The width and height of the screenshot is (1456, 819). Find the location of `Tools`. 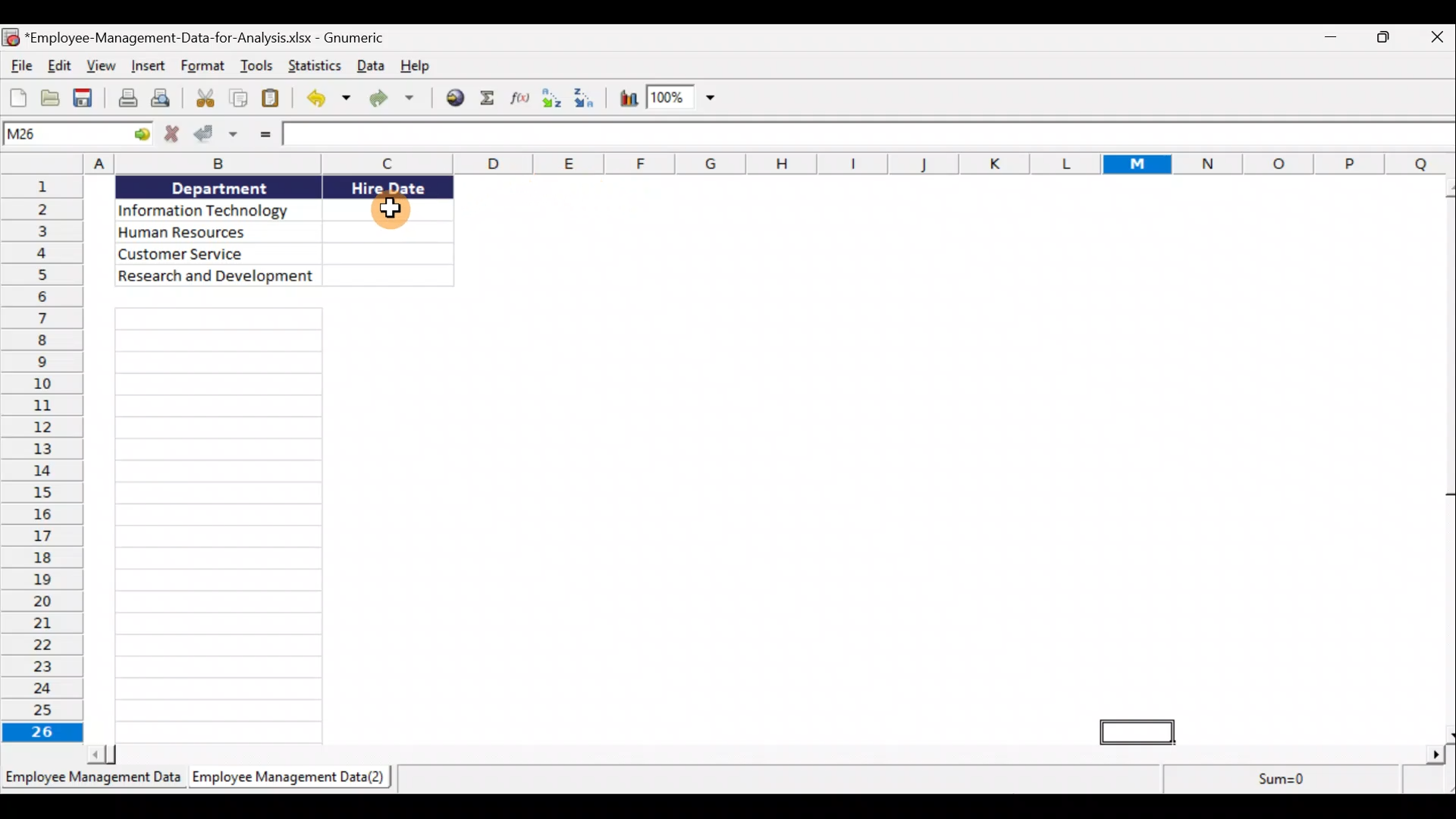

Tools is located at coordinates (260, 66).